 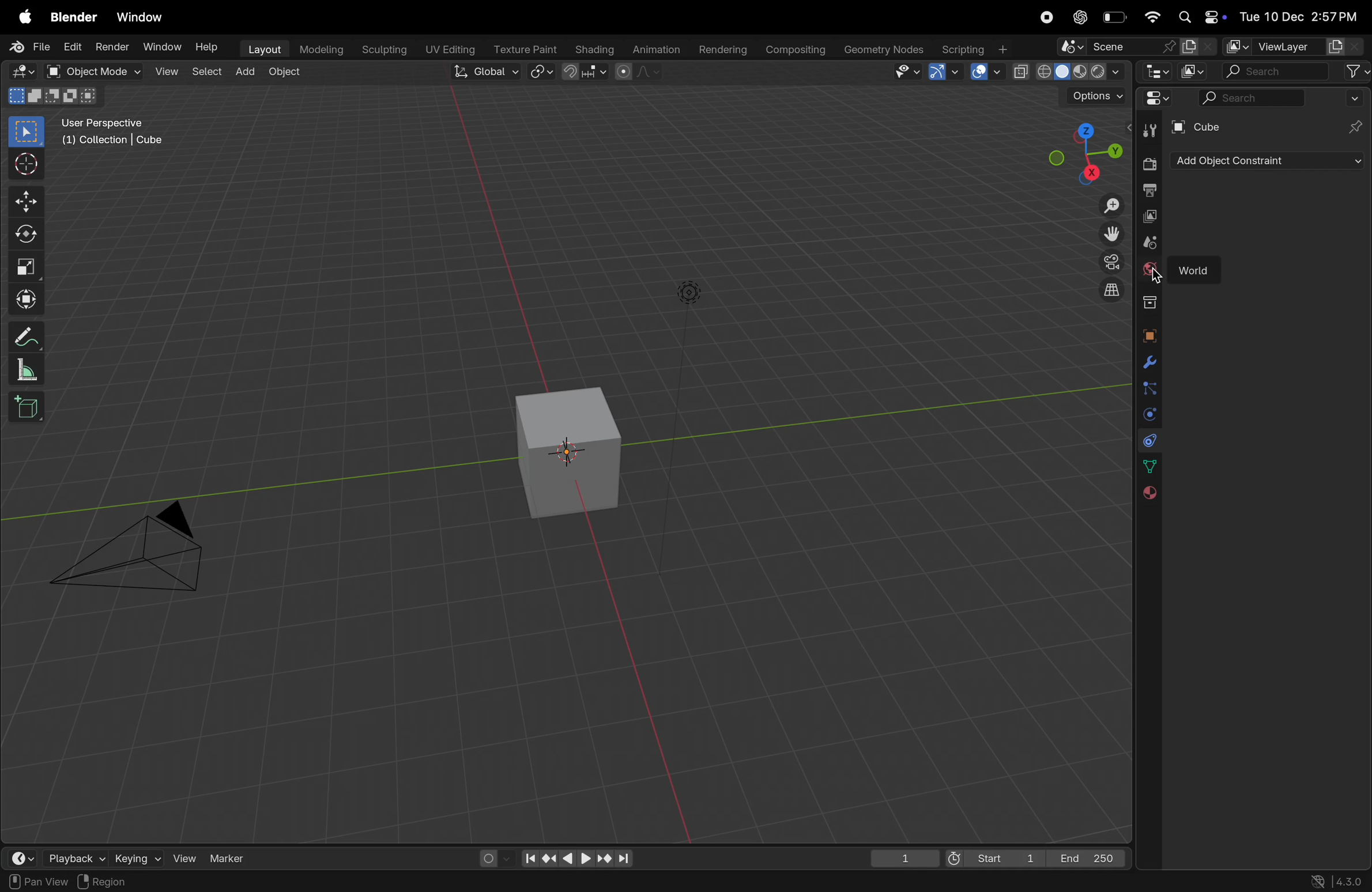 I want to click on add cube, so click(x=31, y=407).